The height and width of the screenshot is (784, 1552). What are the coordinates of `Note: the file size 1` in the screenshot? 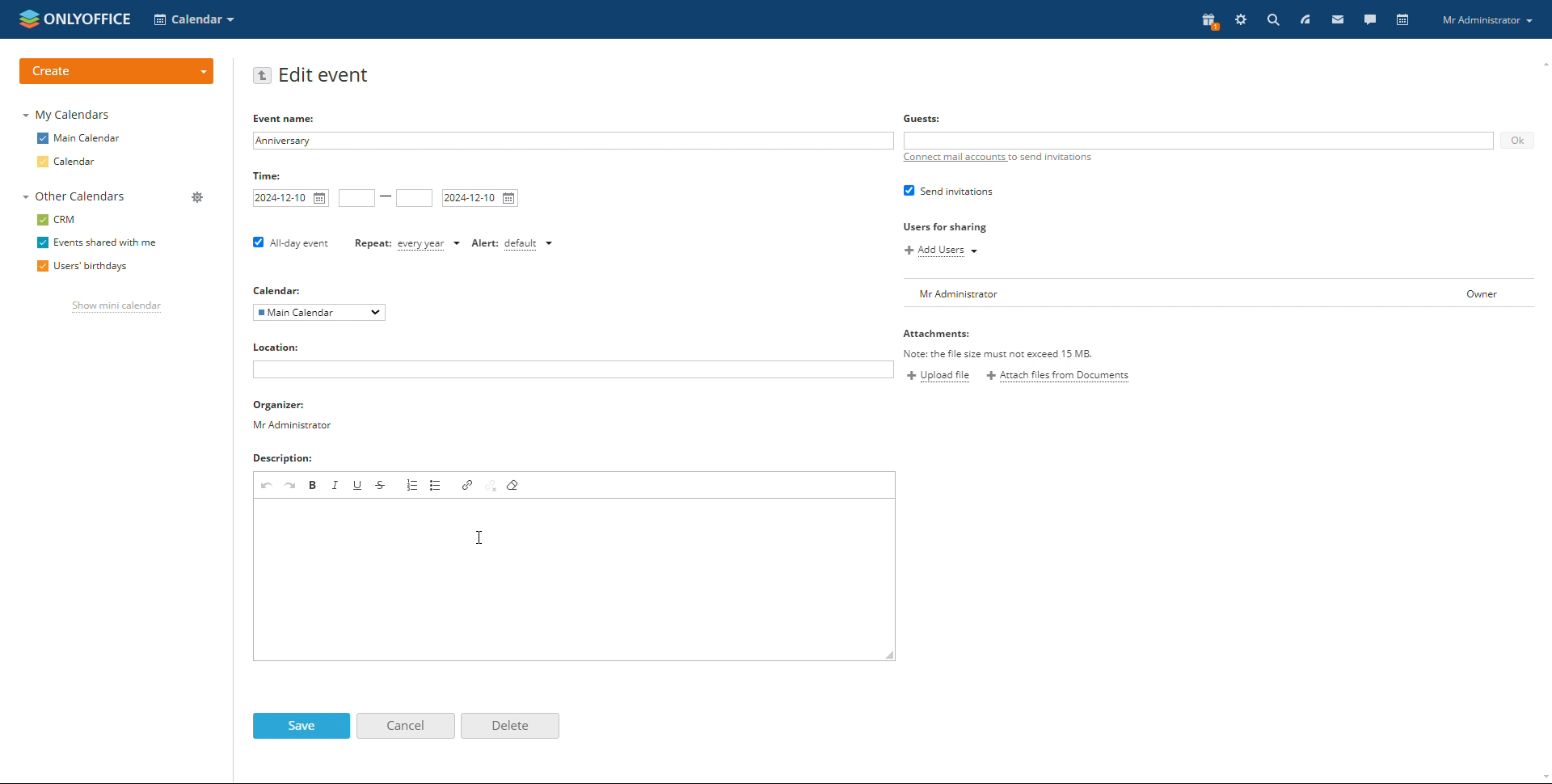 It's located at (1026, 354).